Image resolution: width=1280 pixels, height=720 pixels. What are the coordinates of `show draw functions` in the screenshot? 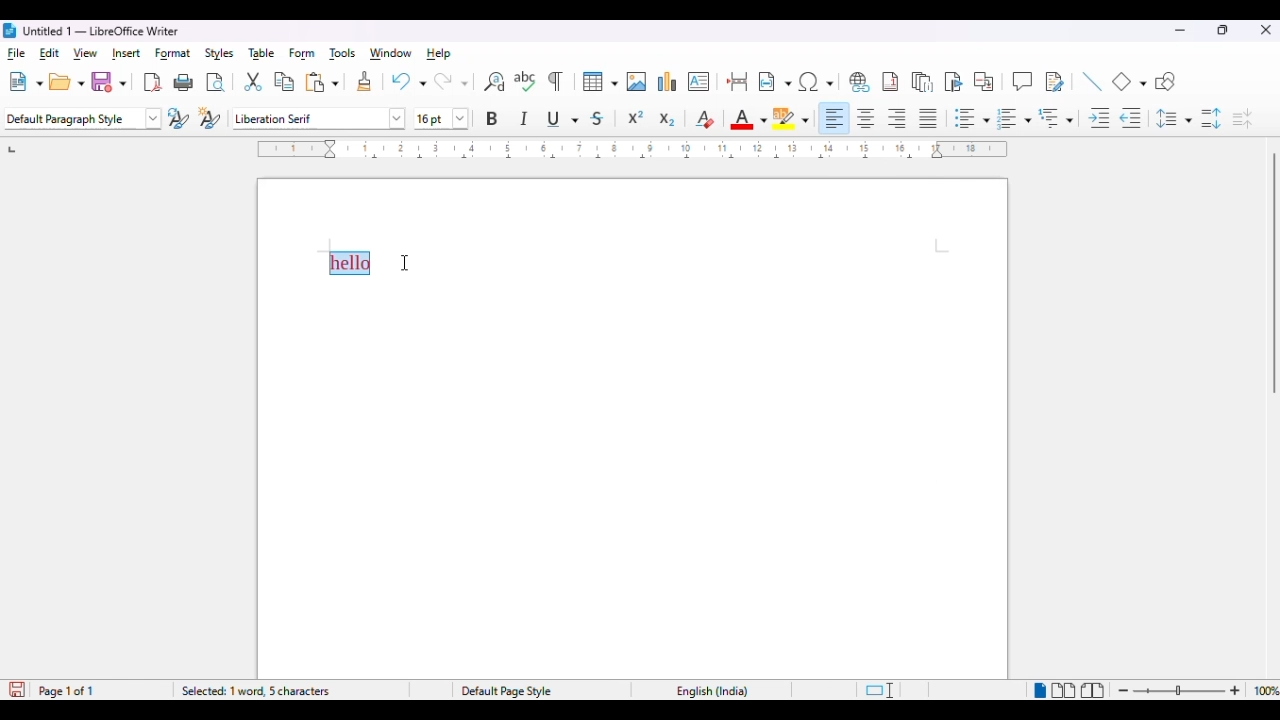 It's located at (1166, 82).